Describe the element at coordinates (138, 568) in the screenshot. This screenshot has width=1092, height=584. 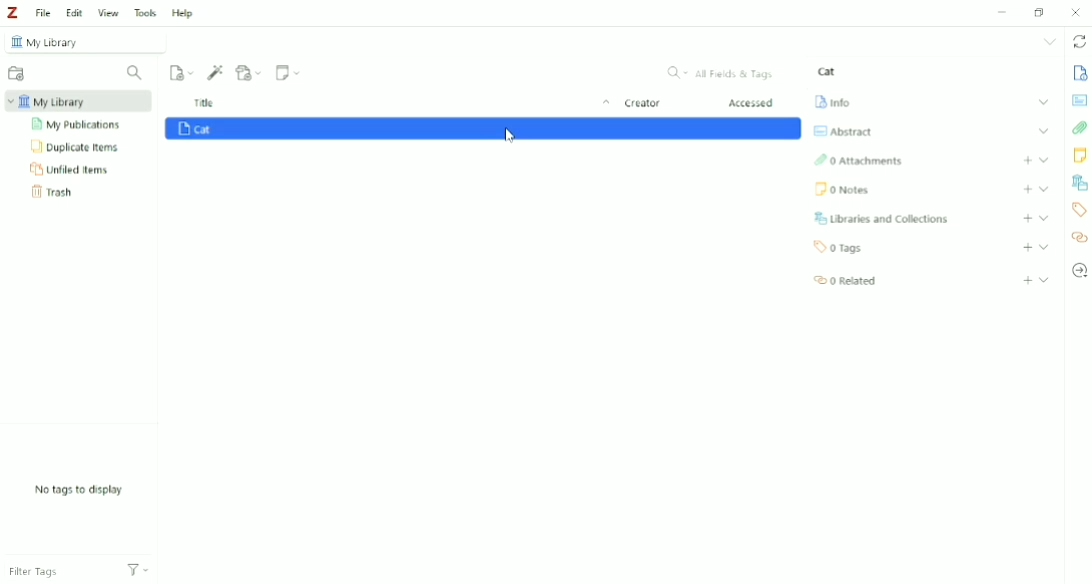
I see `Actions` at that location.